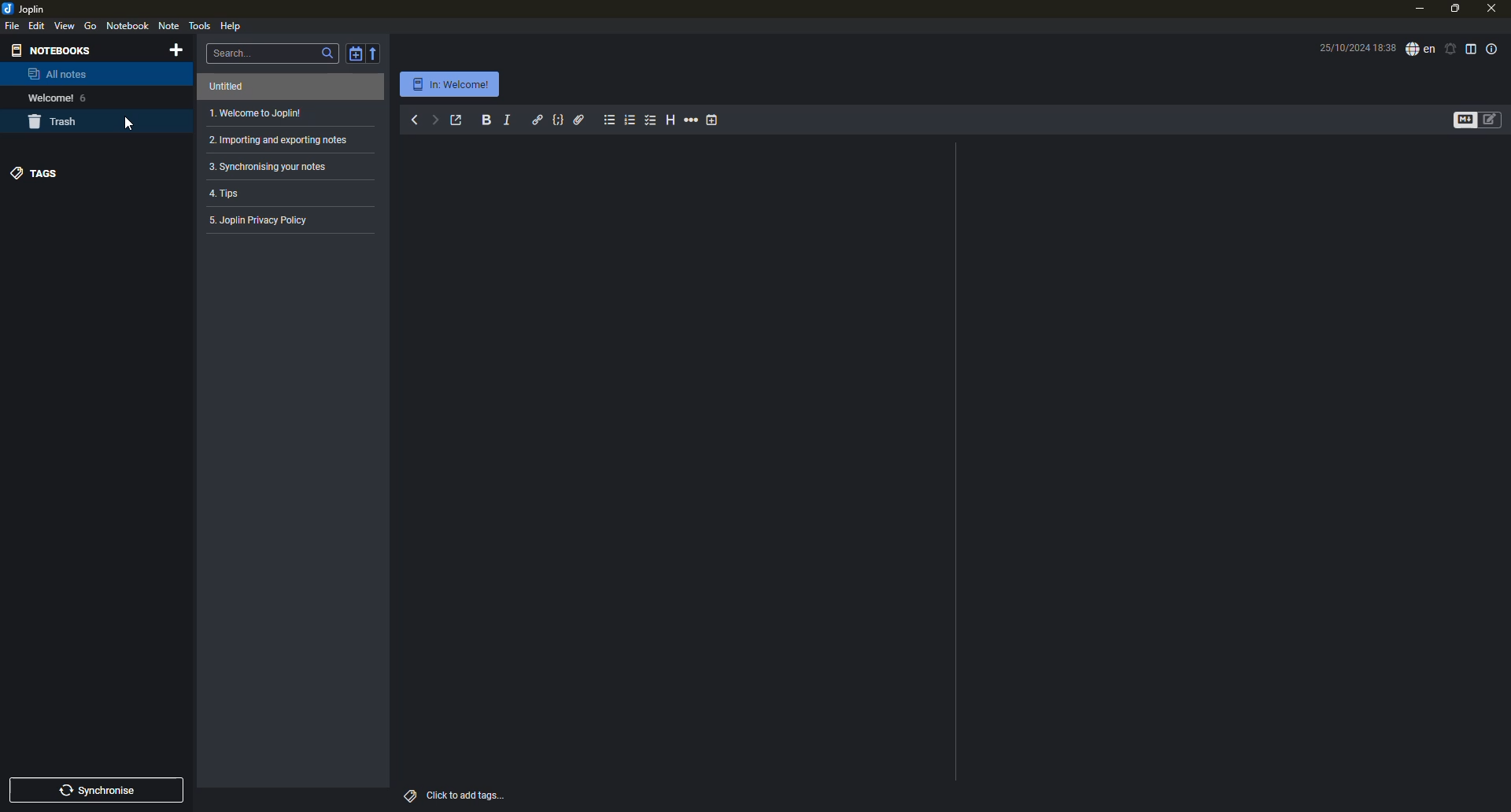  I want to click on horizontal rule, so click(691, 120).